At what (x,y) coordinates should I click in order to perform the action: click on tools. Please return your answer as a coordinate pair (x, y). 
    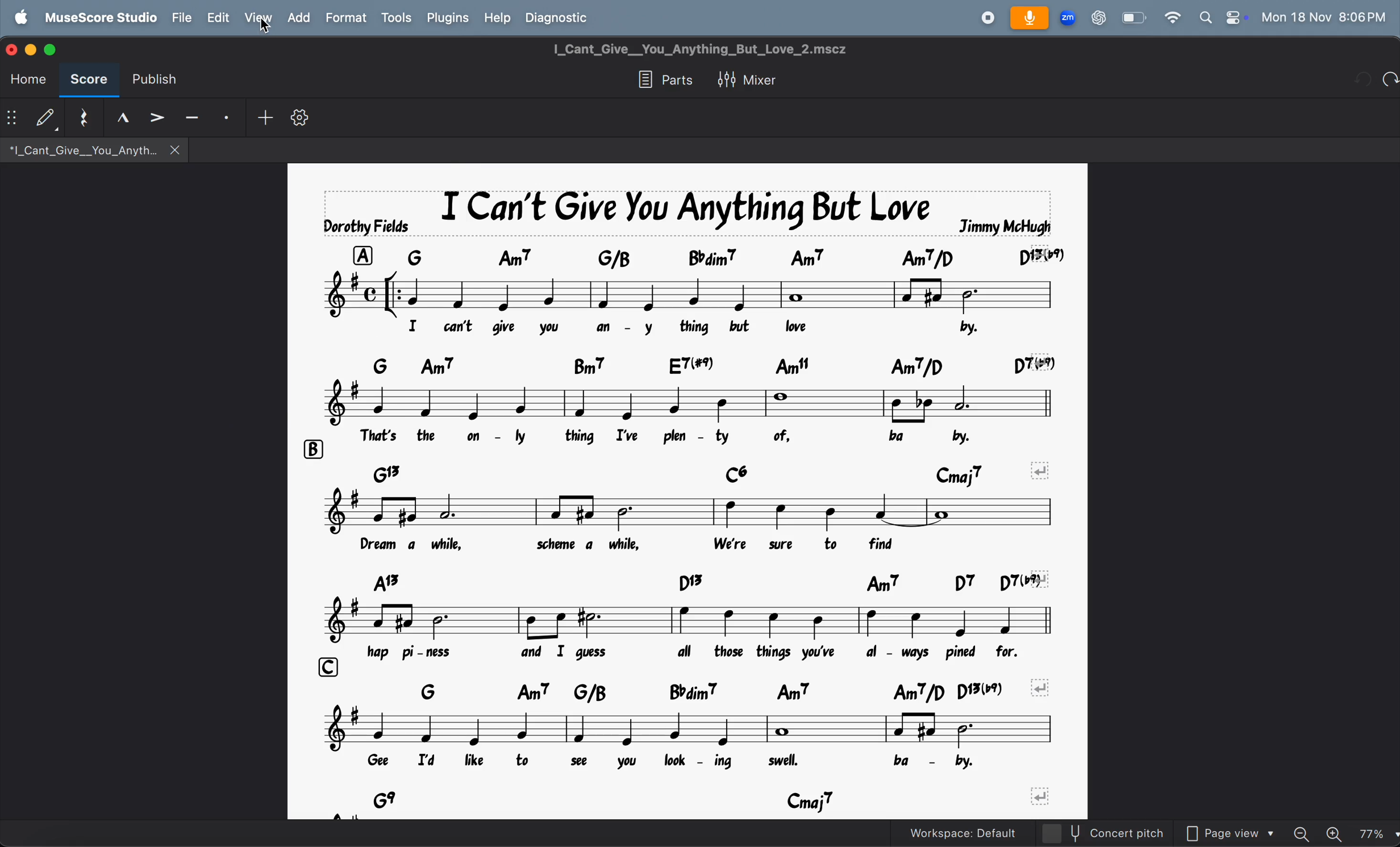
    Looking at the image, I should click on (397, 18).